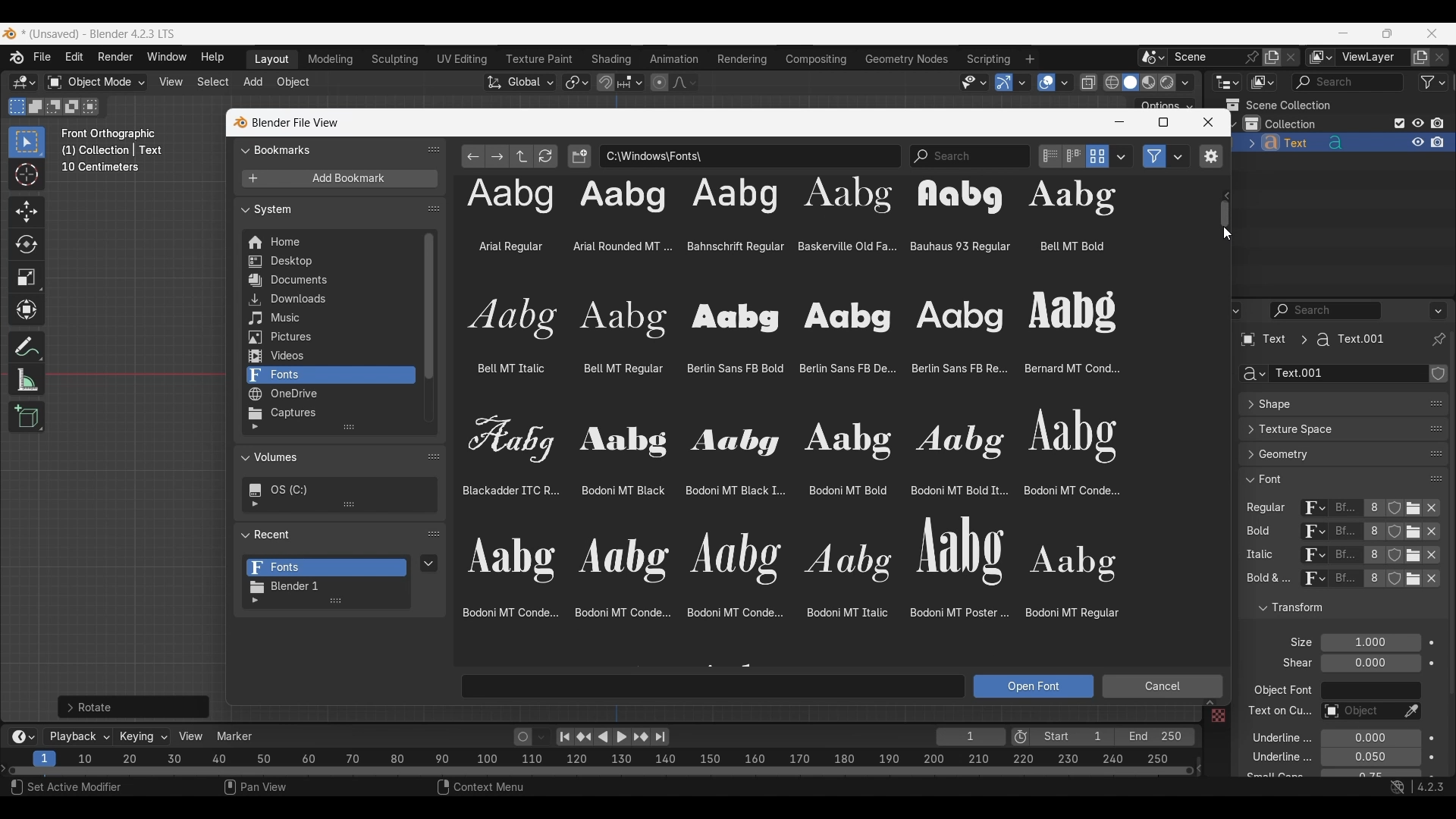  Describe the element at coordinates (1227, 215) in the screenshot. I see `Cursor selecting vertical slide bar` at that location.